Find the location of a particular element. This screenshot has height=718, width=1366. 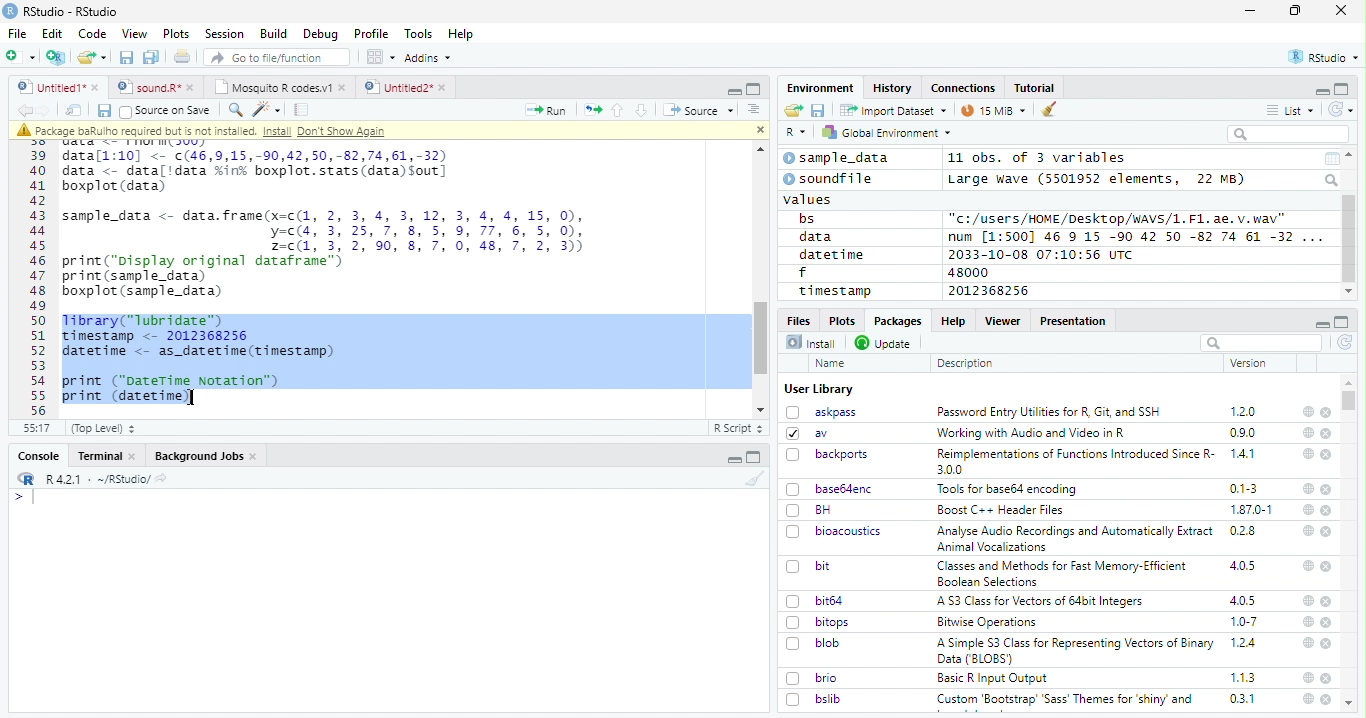

1.1.3 is located at coordinates (1243, 677).